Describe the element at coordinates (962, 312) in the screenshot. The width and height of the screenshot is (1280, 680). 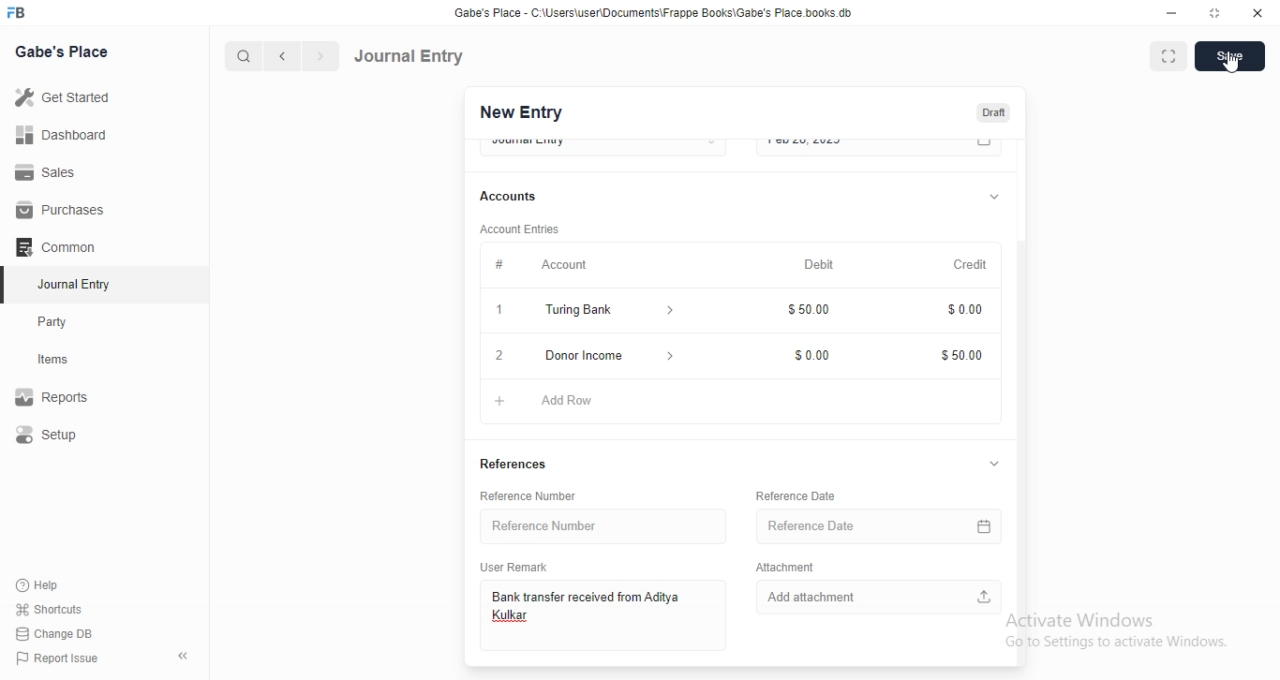
I see `$000` at that location.